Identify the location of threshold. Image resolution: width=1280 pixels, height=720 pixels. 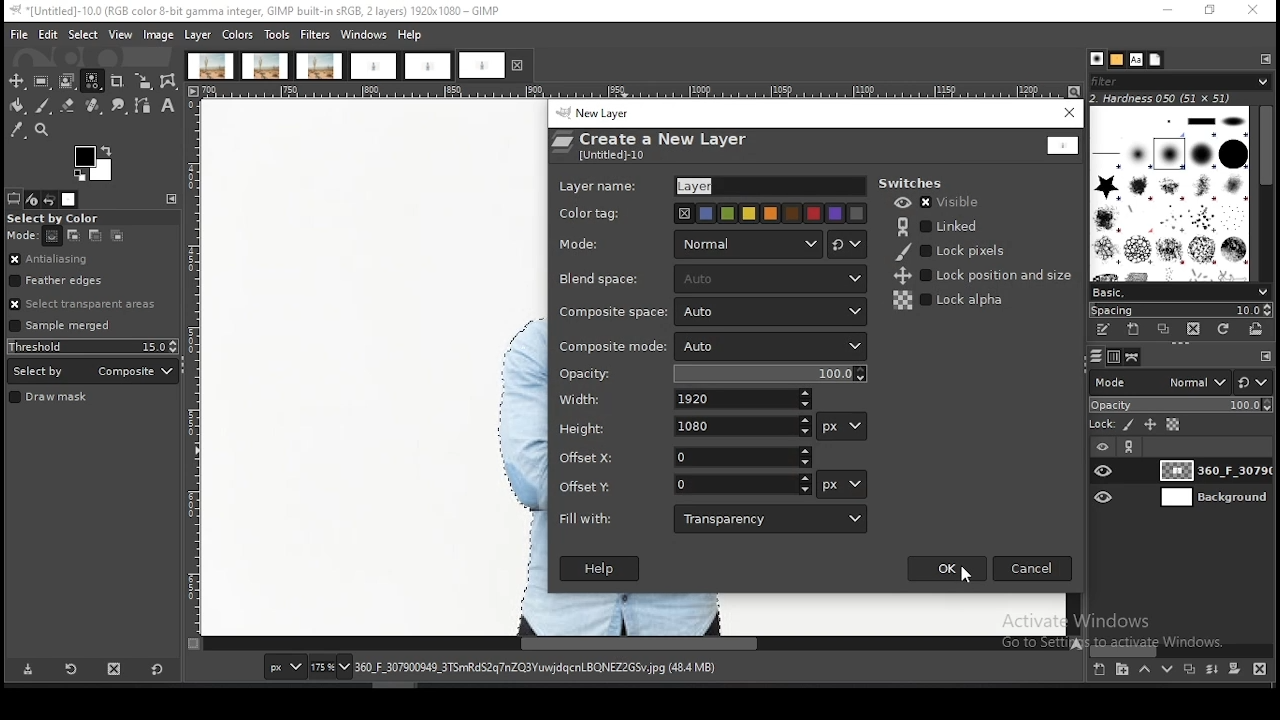
(93, 346).